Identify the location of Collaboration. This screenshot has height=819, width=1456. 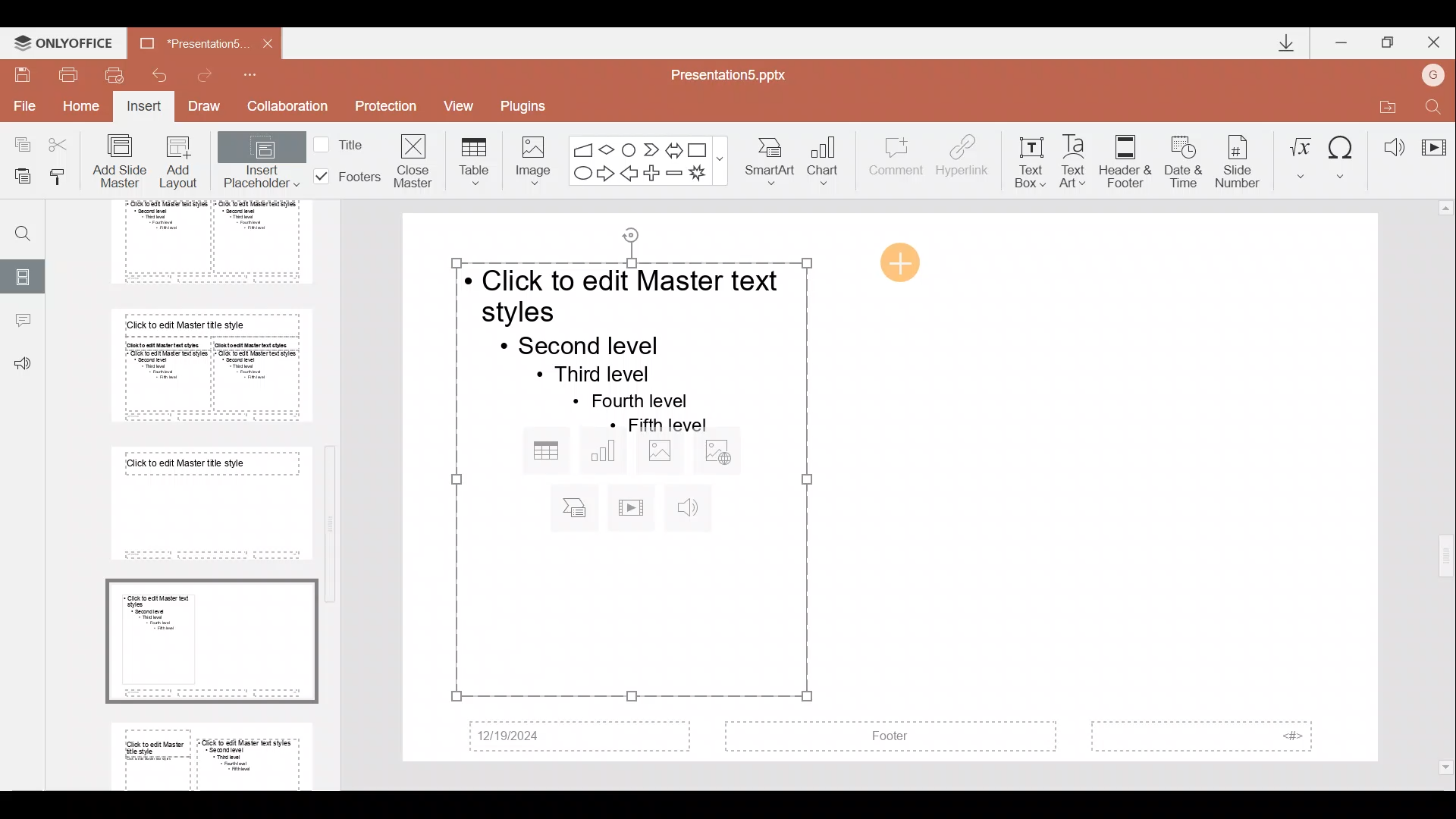
(287, 106).